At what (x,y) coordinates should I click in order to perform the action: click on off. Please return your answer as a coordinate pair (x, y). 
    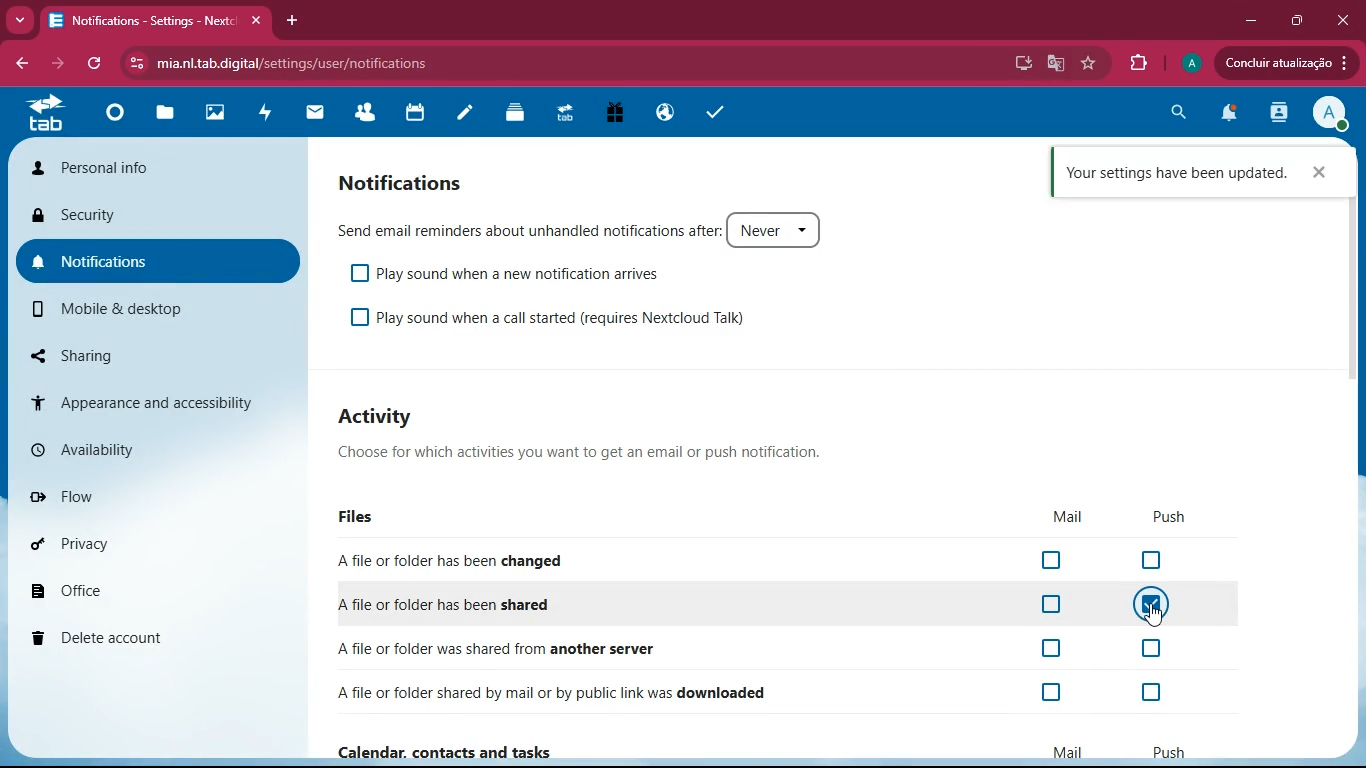
    Looking at the image, I should click on (1048, 648).